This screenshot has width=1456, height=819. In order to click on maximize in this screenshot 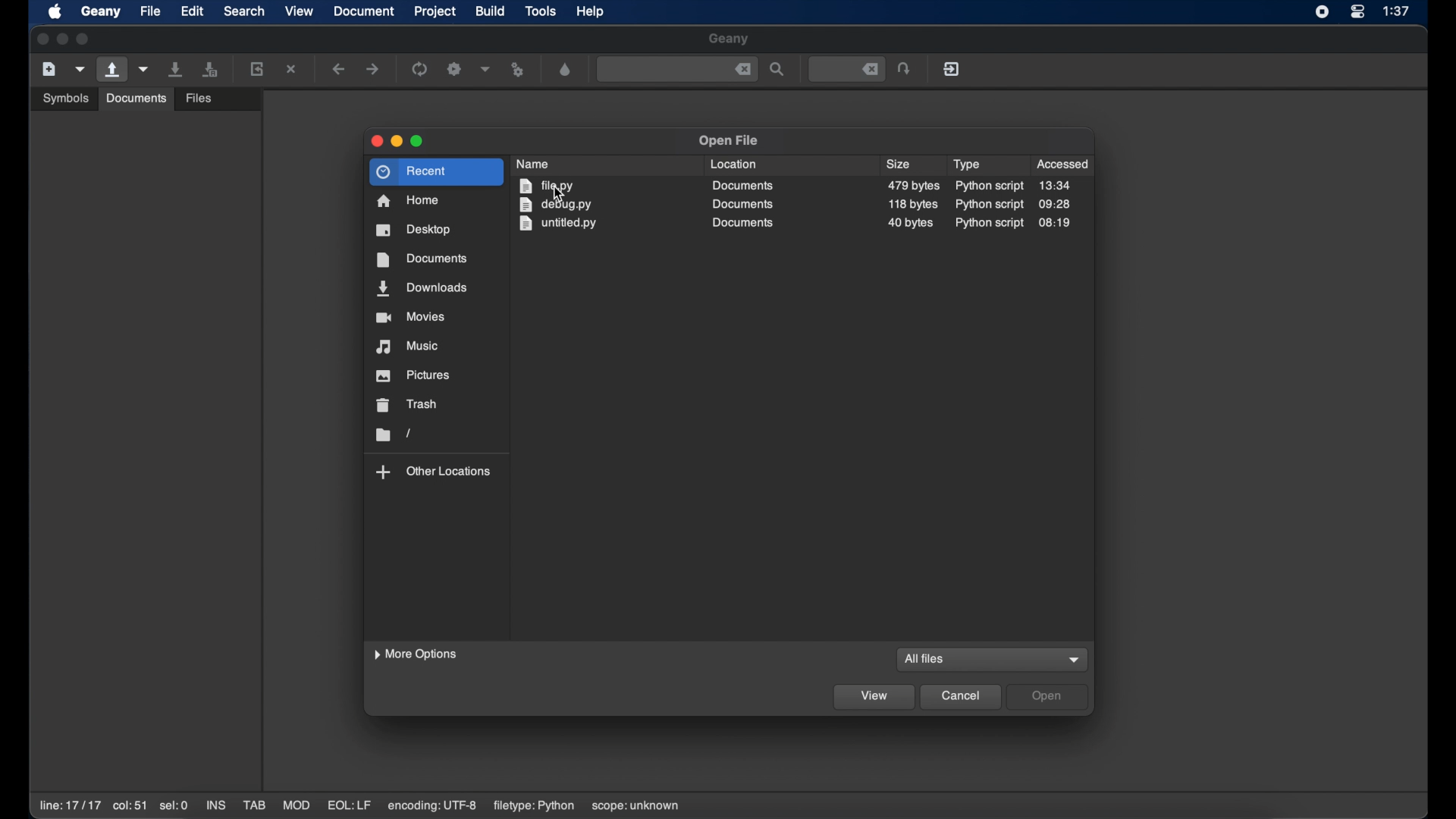, I will do `click(85, 39)`.